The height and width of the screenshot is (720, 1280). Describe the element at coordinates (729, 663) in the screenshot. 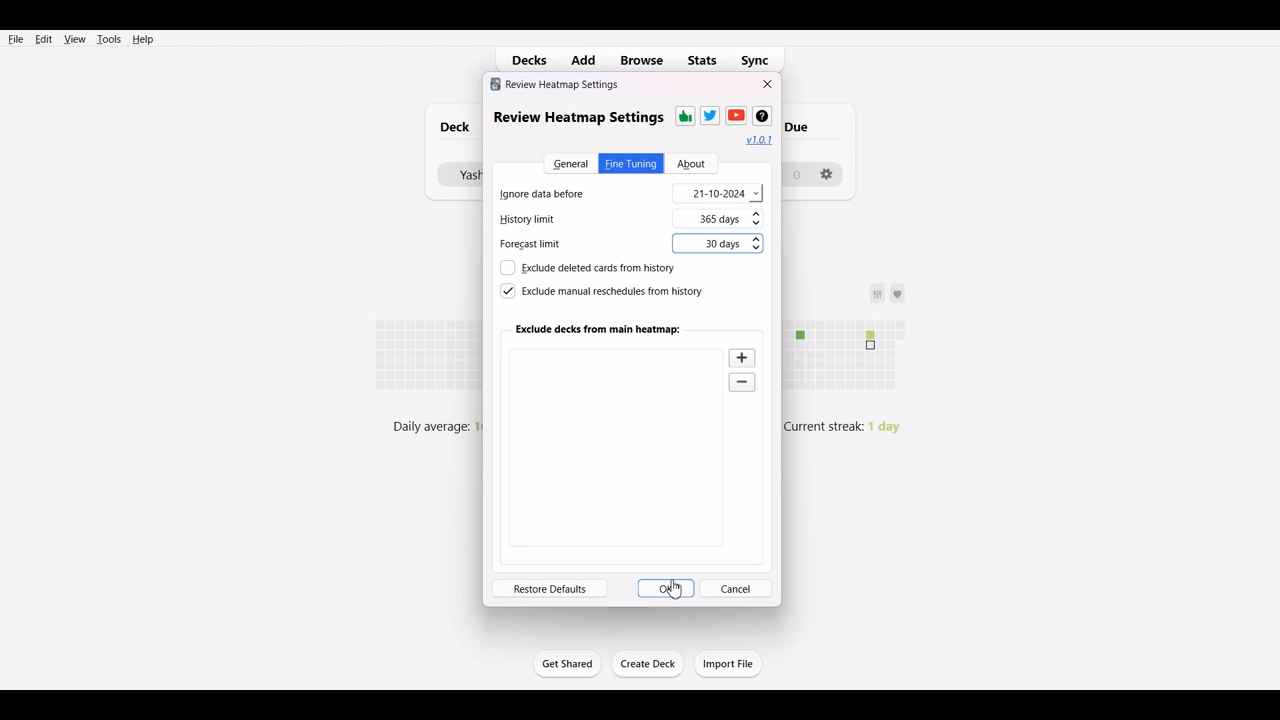

I see `Import File` at that location.